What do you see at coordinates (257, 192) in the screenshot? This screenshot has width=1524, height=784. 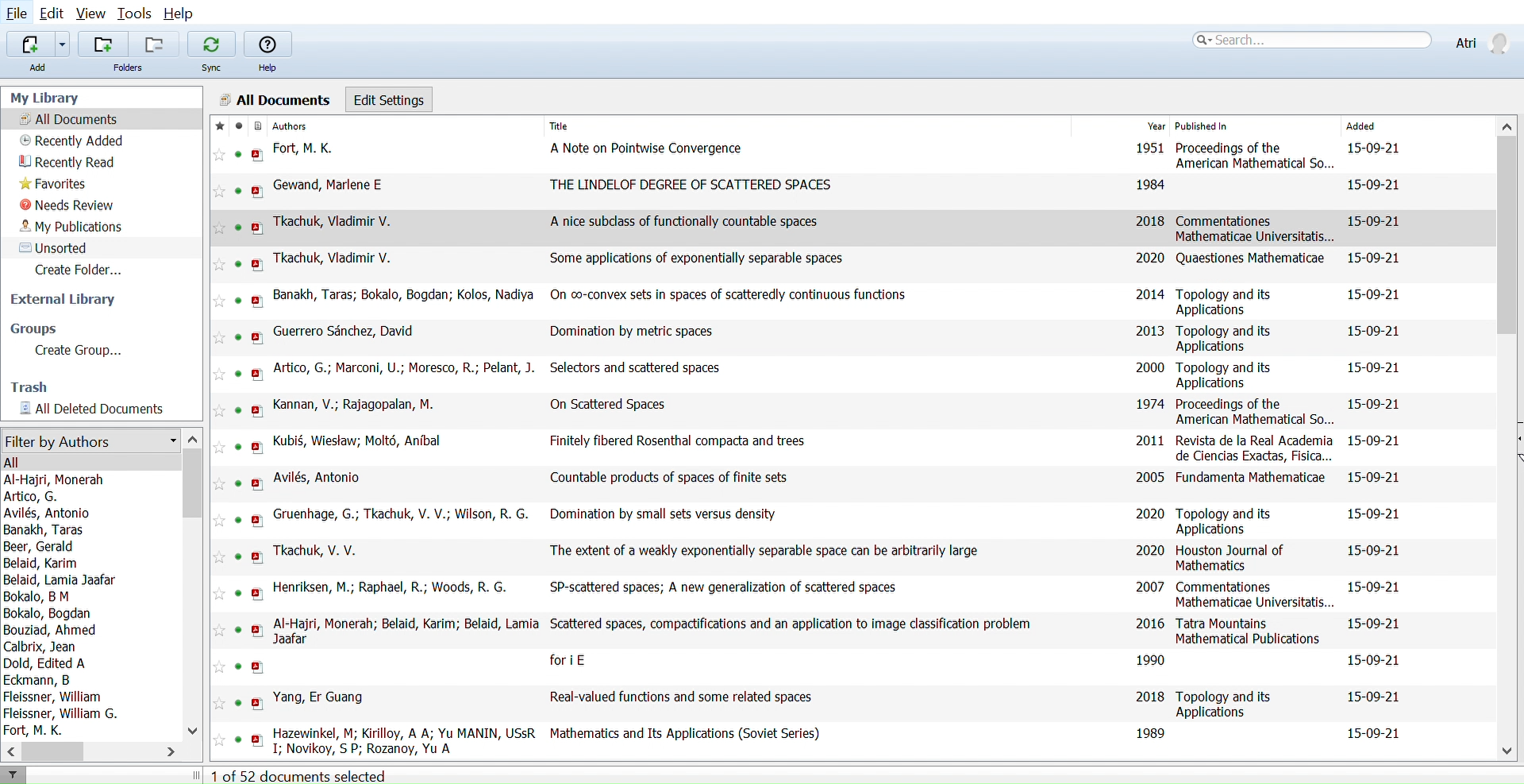 I see `open PDF` at bounding box center [257, 192].